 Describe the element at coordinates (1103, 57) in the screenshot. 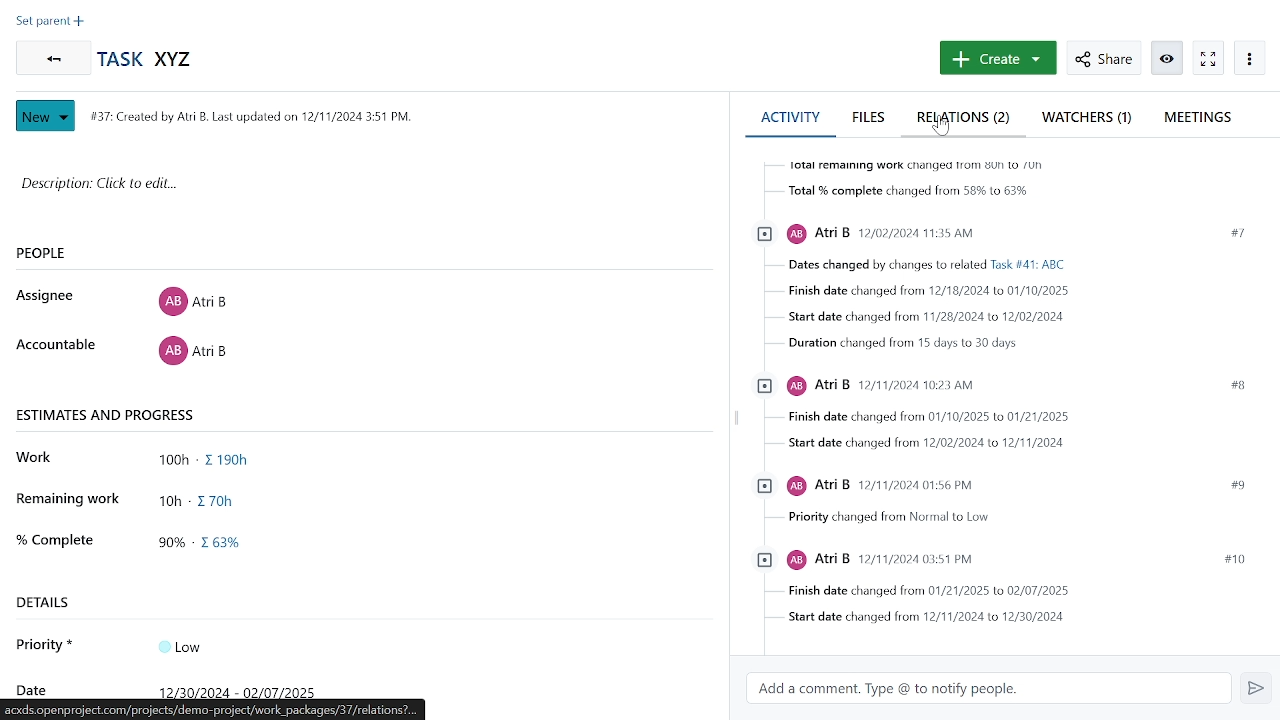

I see `share` at that location.